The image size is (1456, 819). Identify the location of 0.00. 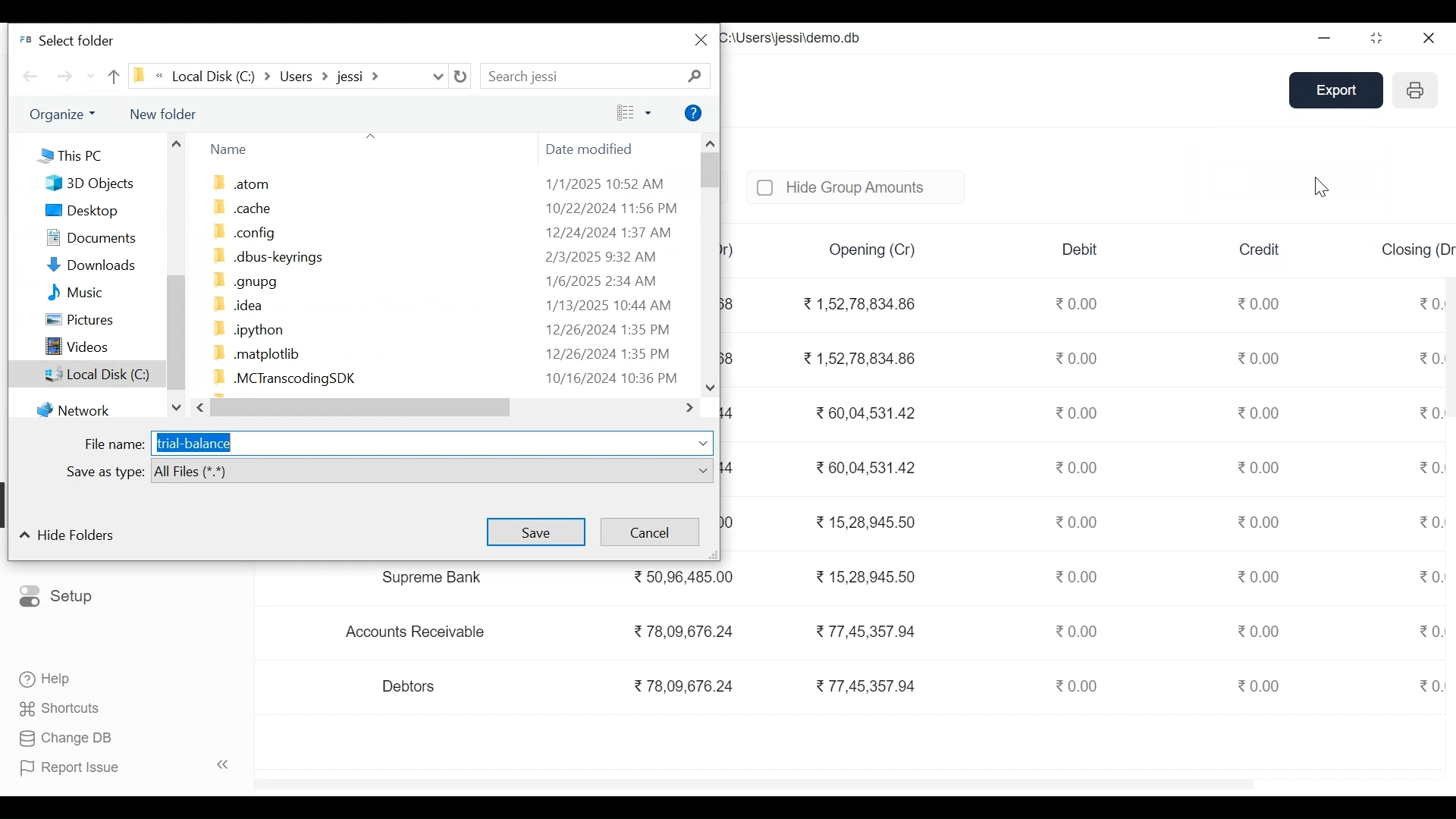
(1080, 631).